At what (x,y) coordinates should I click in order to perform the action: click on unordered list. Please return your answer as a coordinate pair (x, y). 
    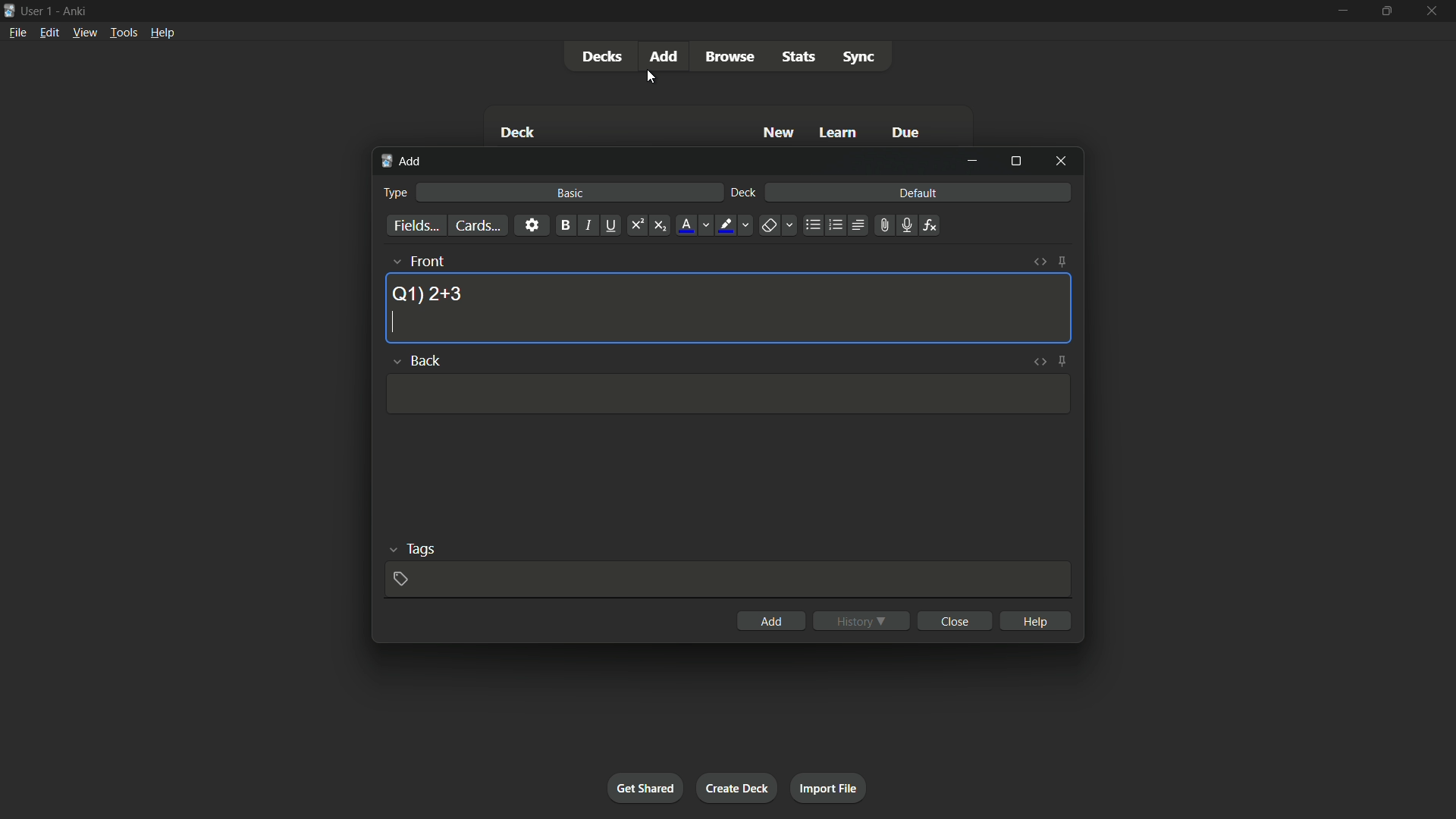
    Looking at the image, I should click on (812, 225).